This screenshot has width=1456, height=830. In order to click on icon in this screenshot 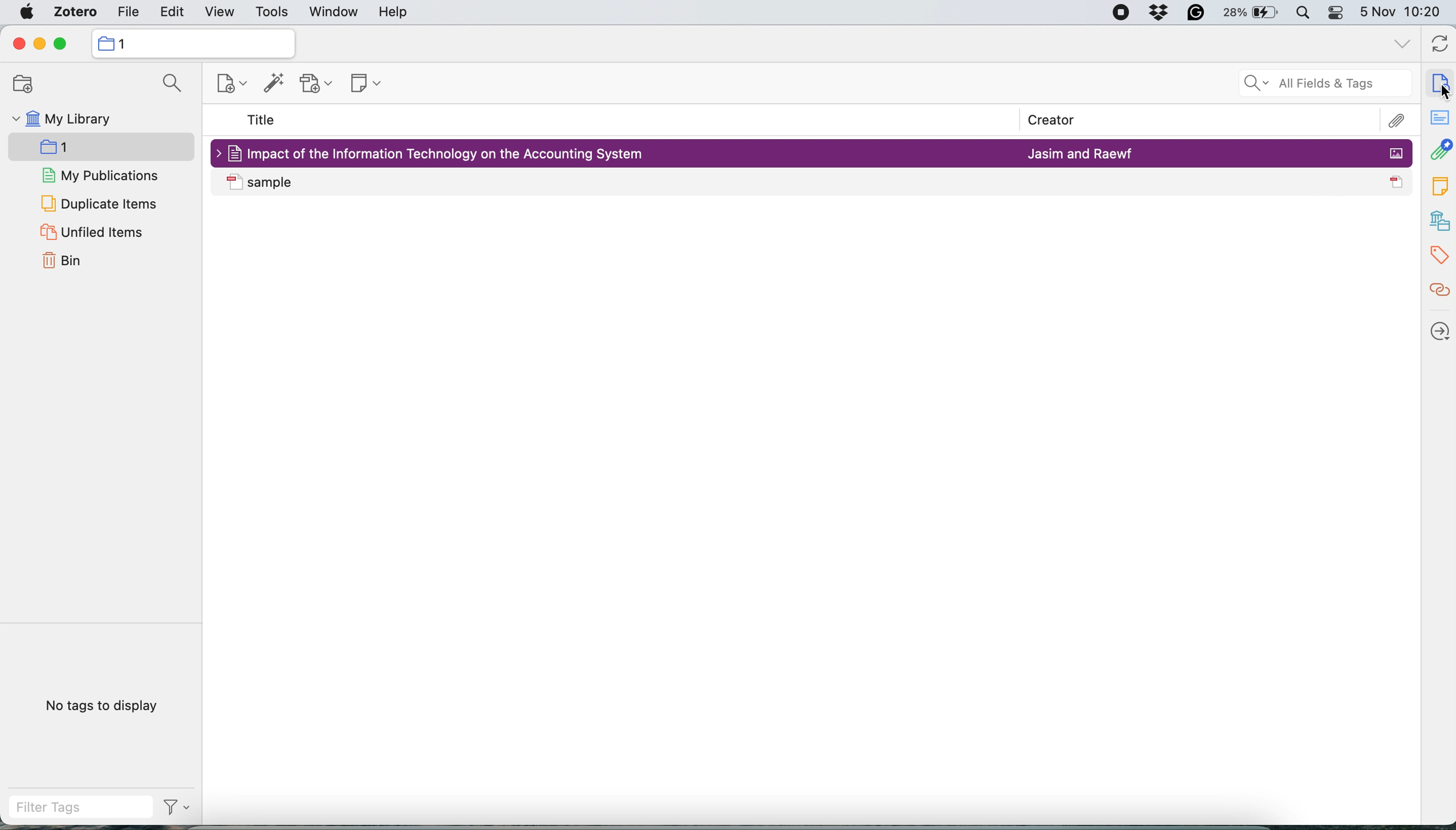, I will do `click(1397, 153)`.